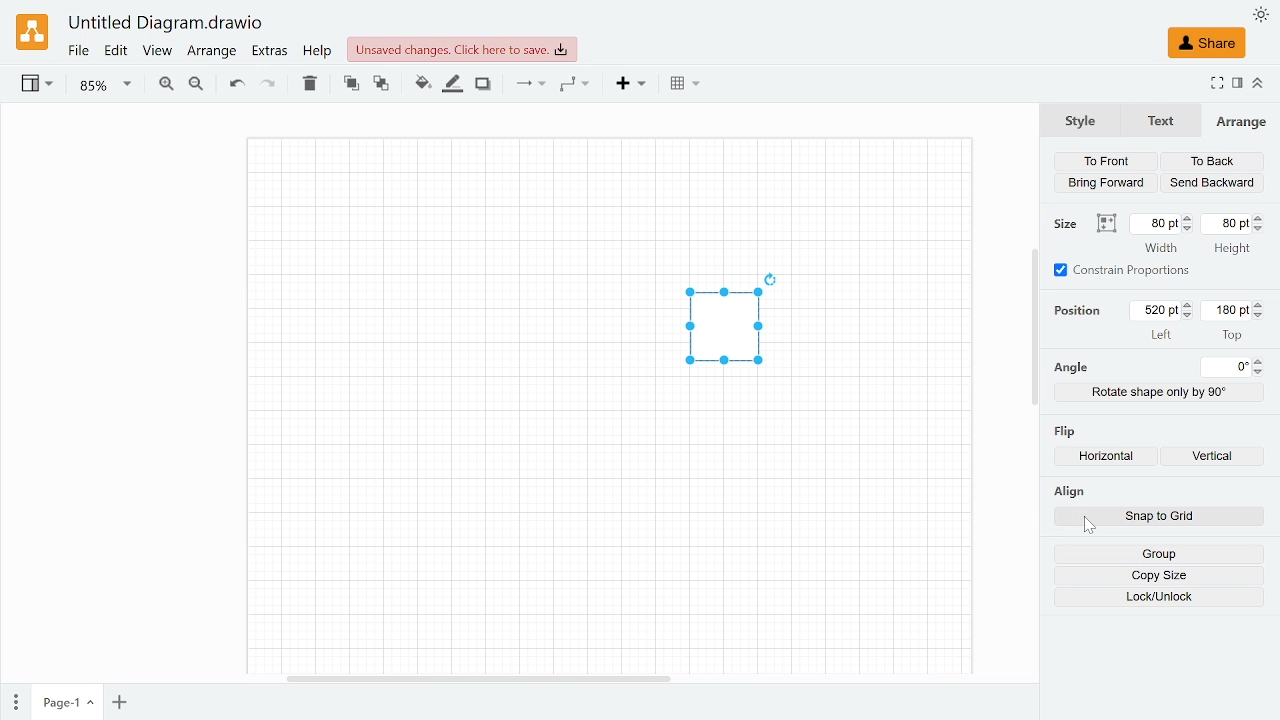  What do you see at coordinates (1238, 84) in the screenshot?
I see `Format` at bounding box center [1238, 84].